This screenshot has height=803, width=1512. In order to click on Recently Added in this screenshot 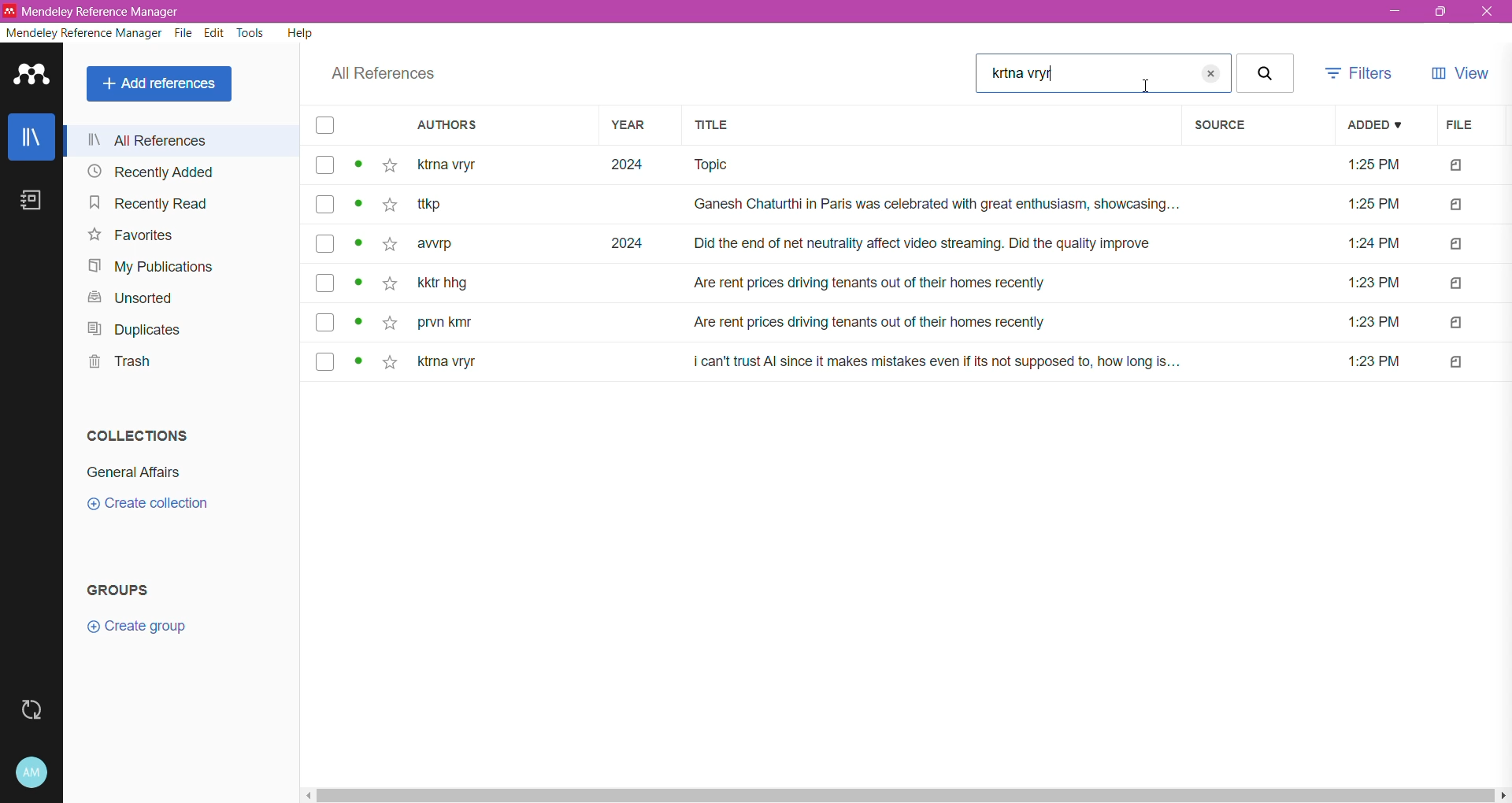, I will do `click(151, 172)`.